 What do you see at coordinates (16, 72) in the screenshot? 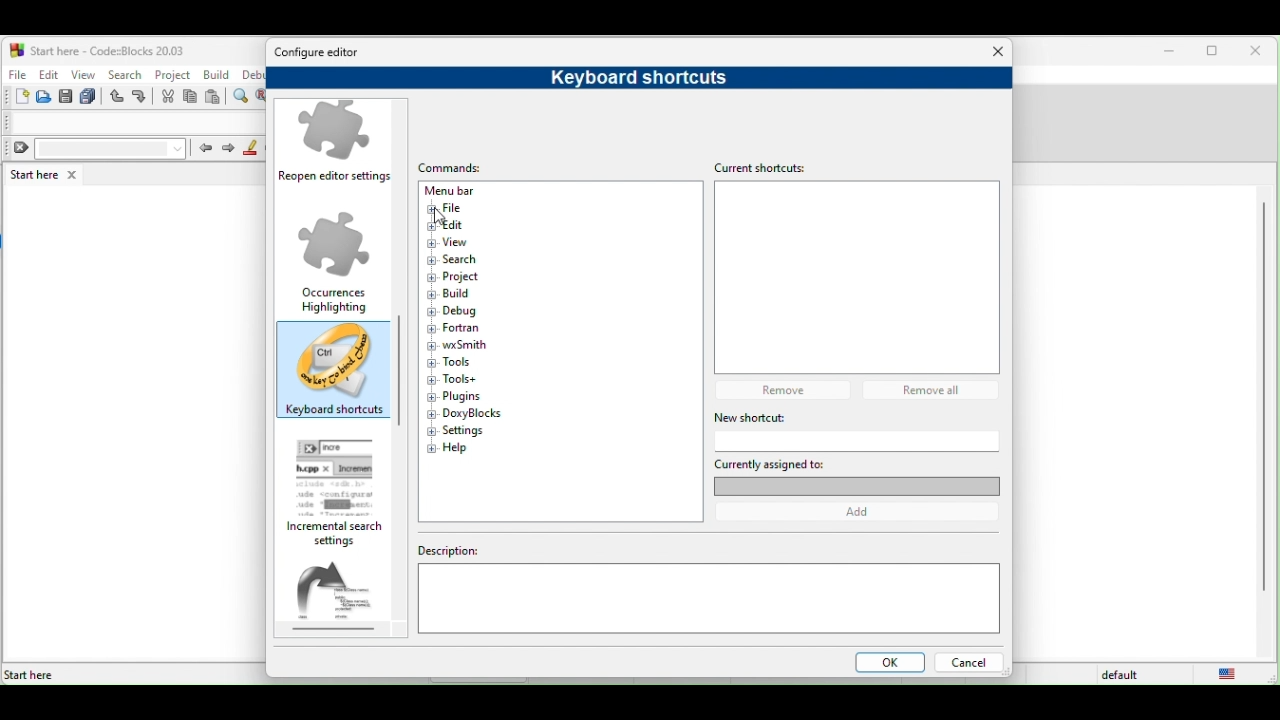
I see `file` at bounding box center [16, 72].